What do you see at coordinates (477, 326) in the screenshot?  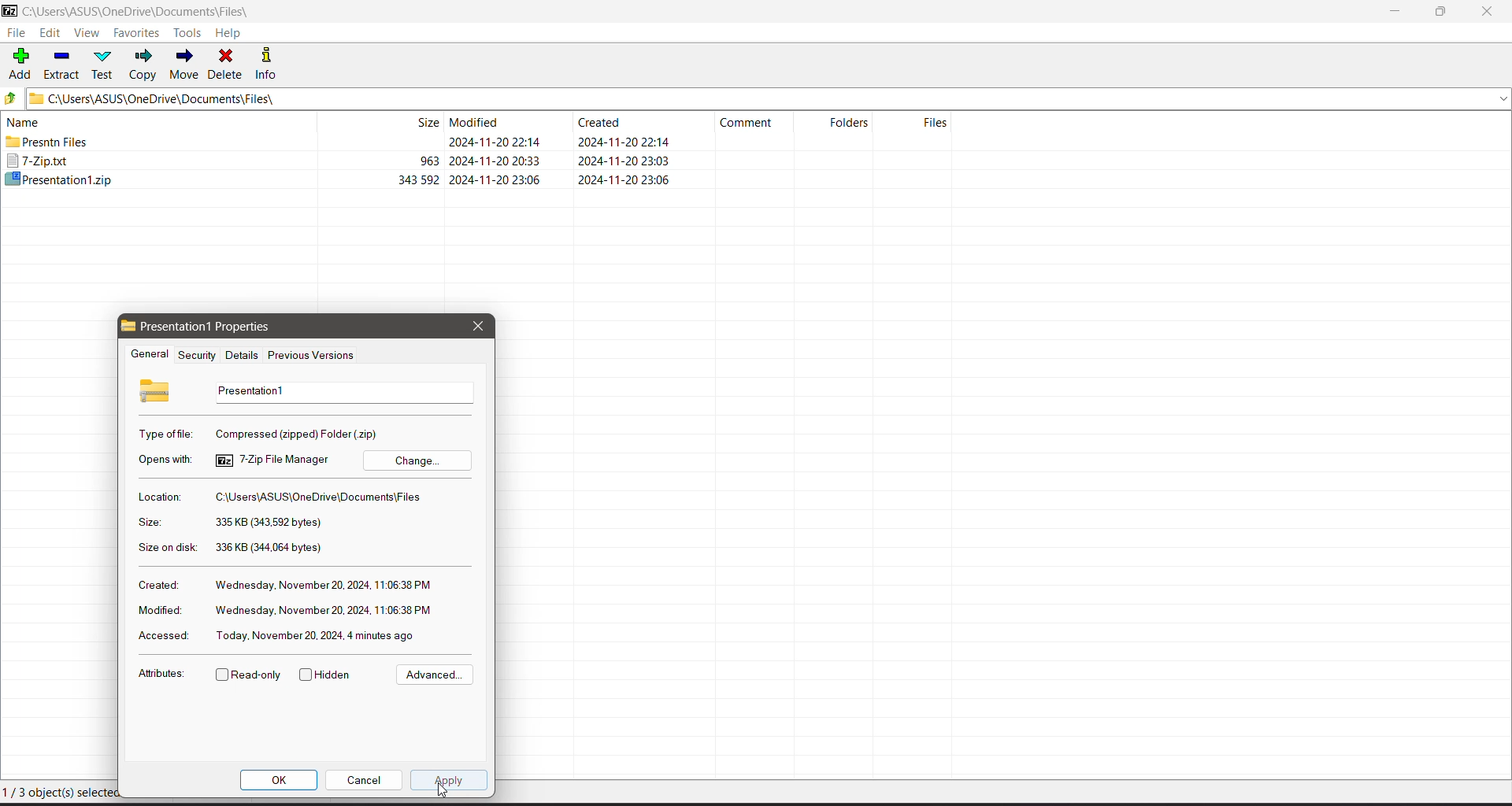 I see `Close` at bounding box center [477, 326].